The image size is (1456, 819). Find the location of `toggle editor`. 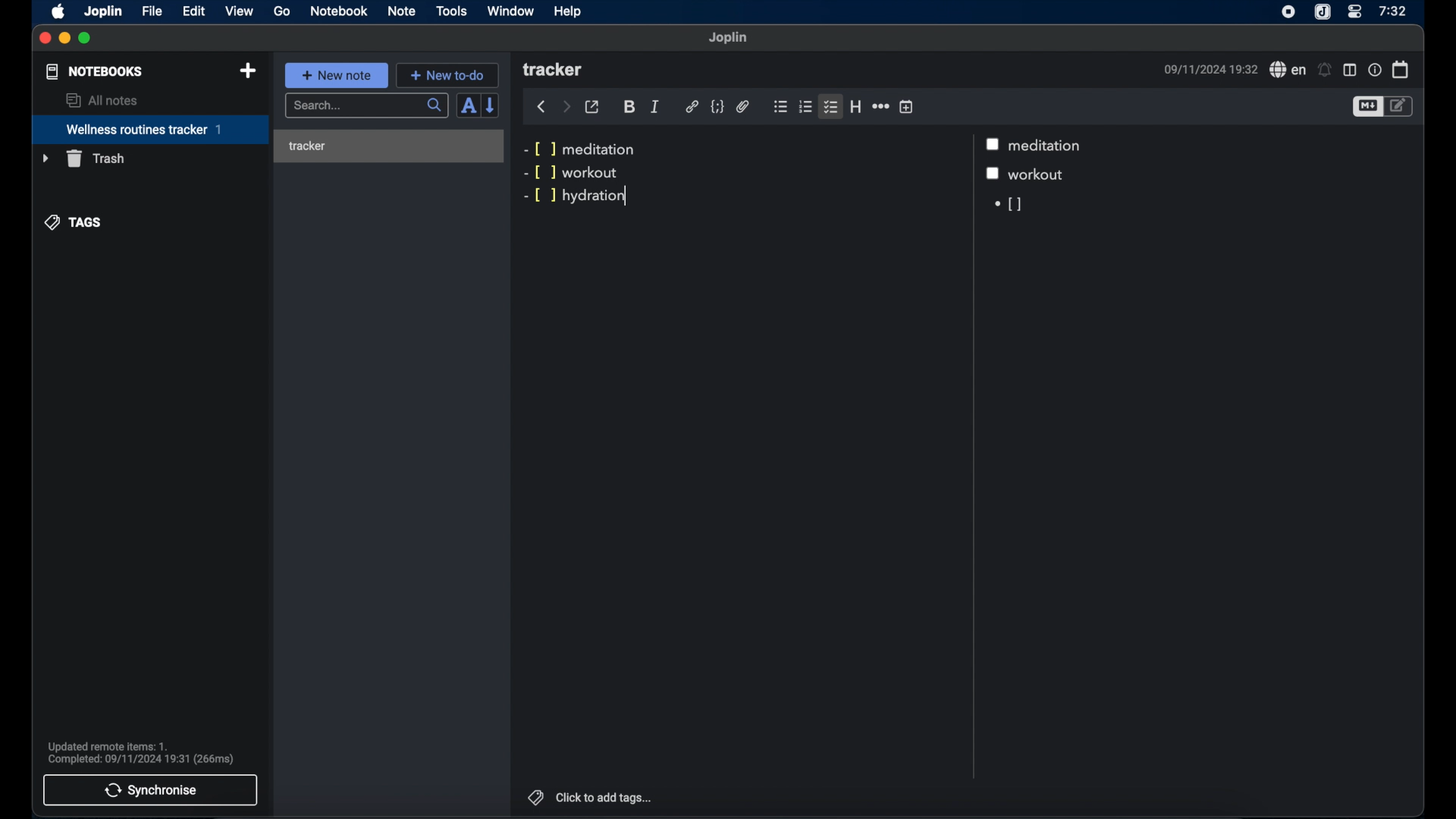

toggle editor is located at coordinates (1367, 106).